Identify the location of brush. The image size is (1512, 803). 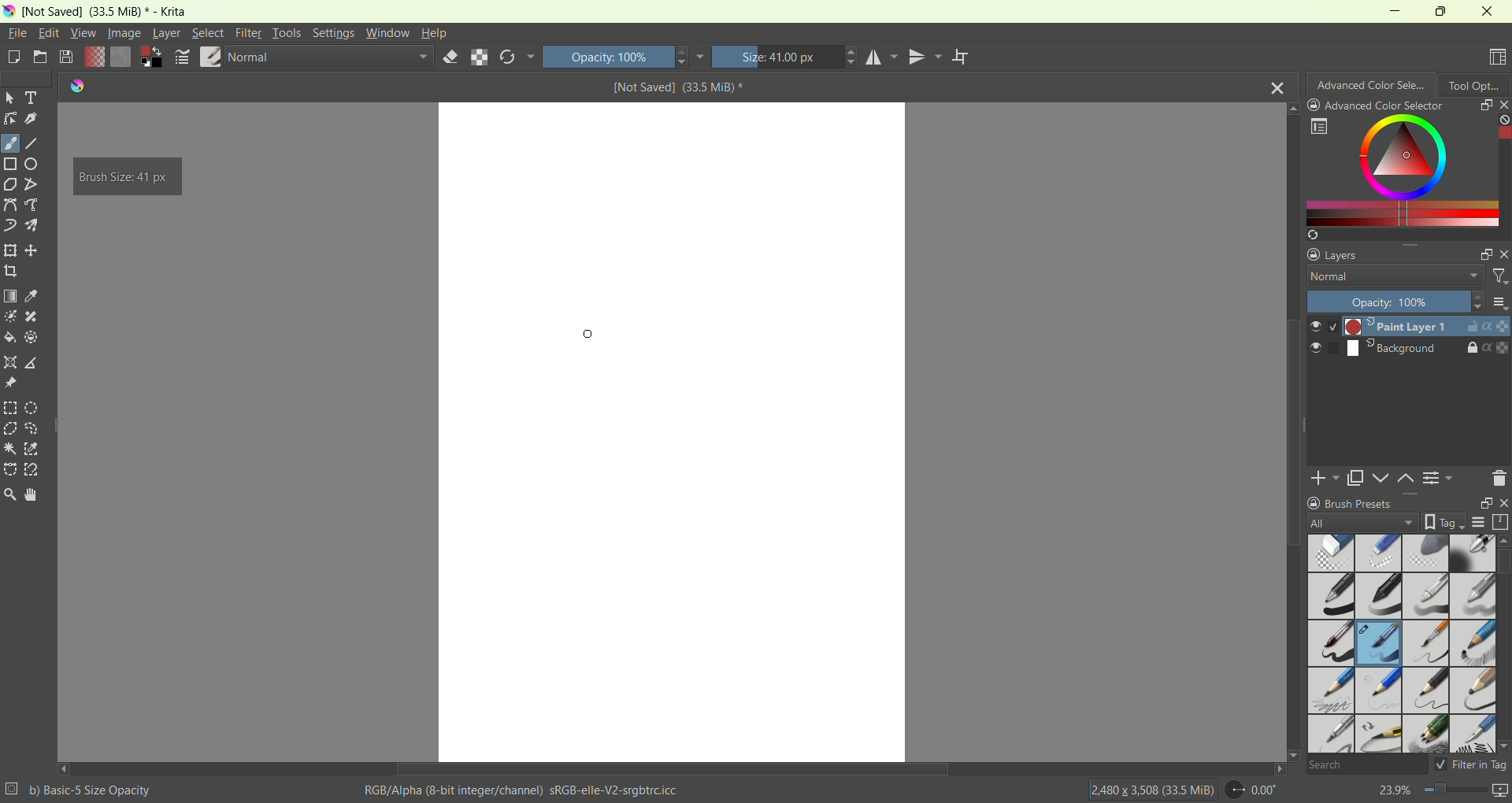
(211, 58).